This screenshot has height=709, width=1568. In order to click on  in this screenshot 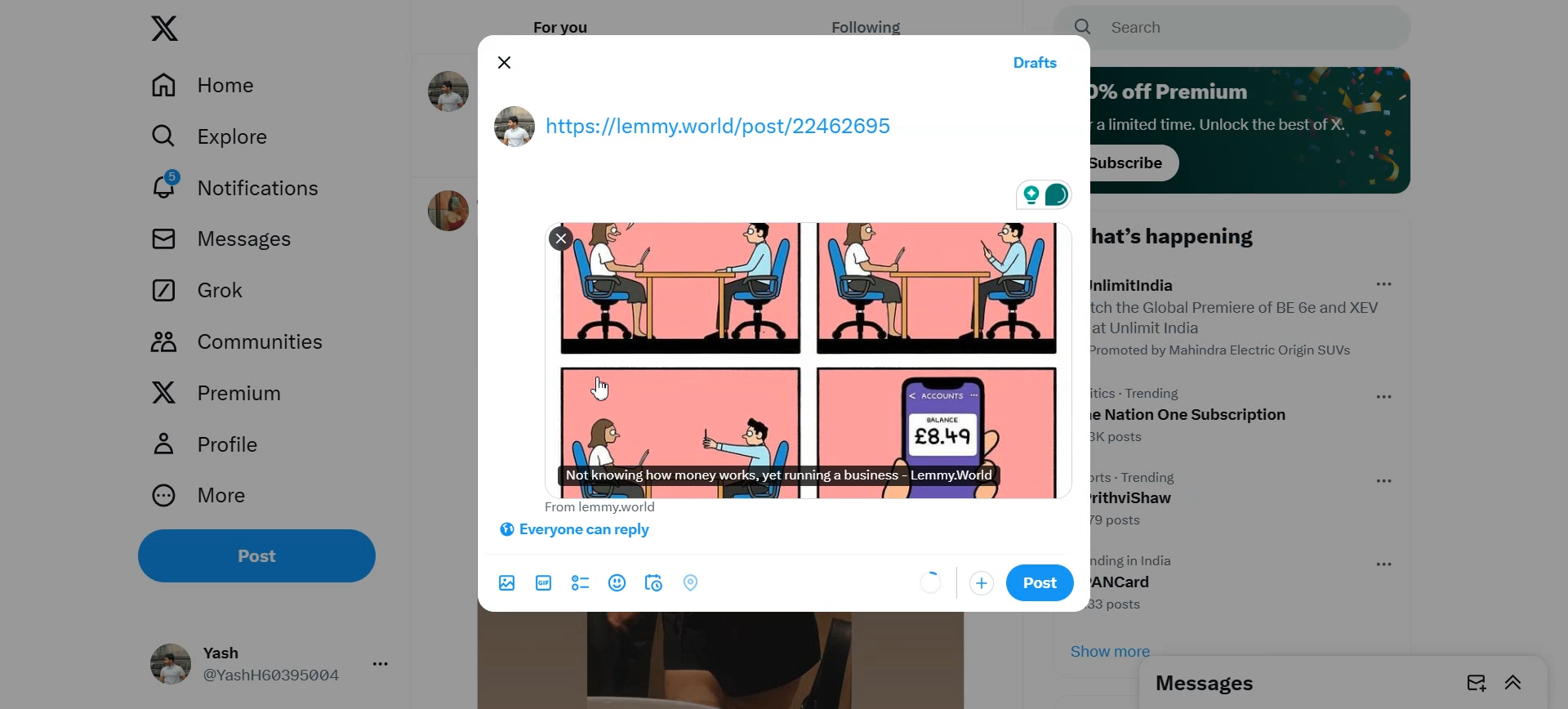, I will do `click(427, 914)`.